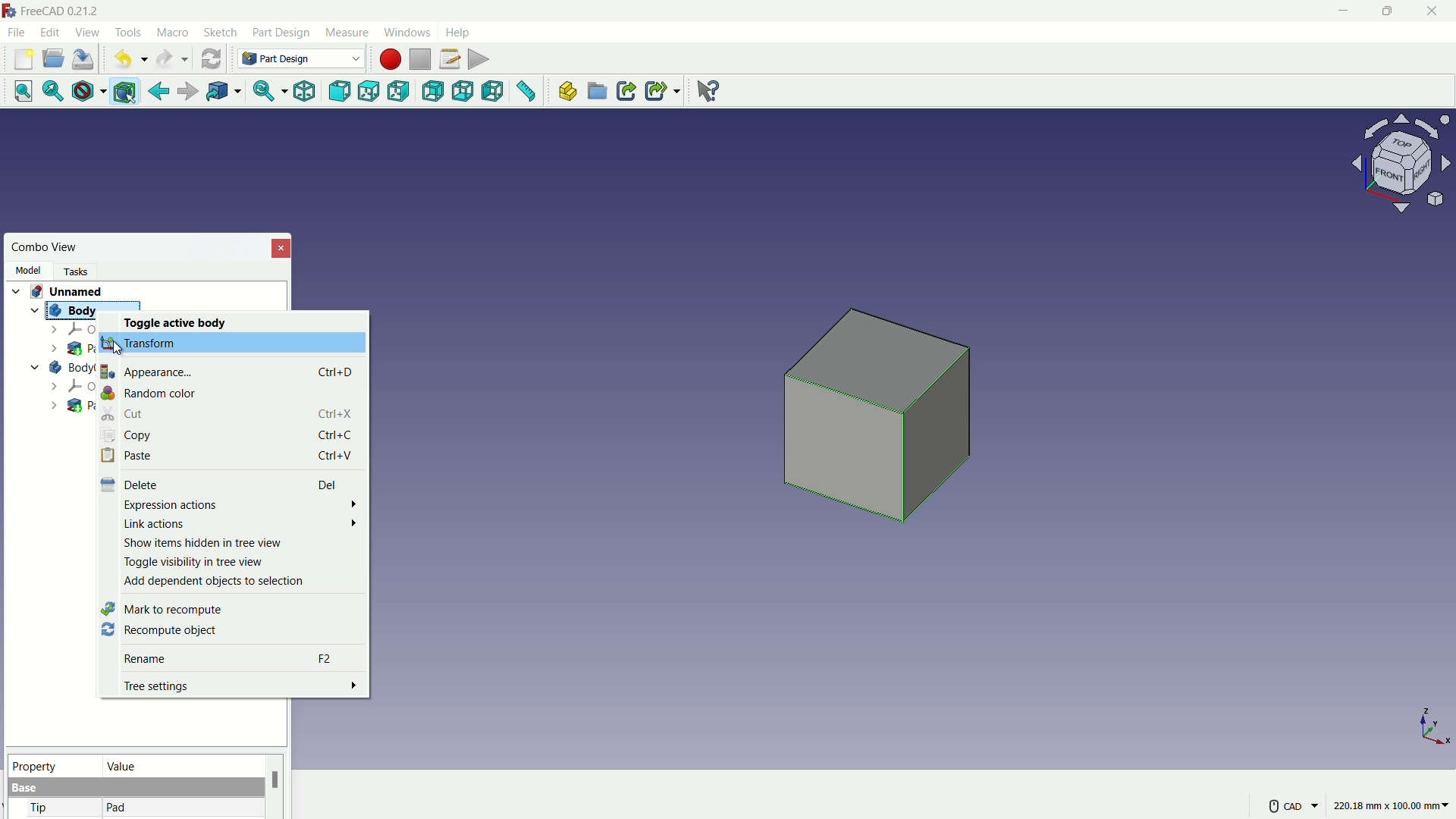 The width and height of the screenshot is (1456, 819). What do you see at coordinates (435, 93) in the screenshot?
I see `back view` at bounding box center [435, 93].